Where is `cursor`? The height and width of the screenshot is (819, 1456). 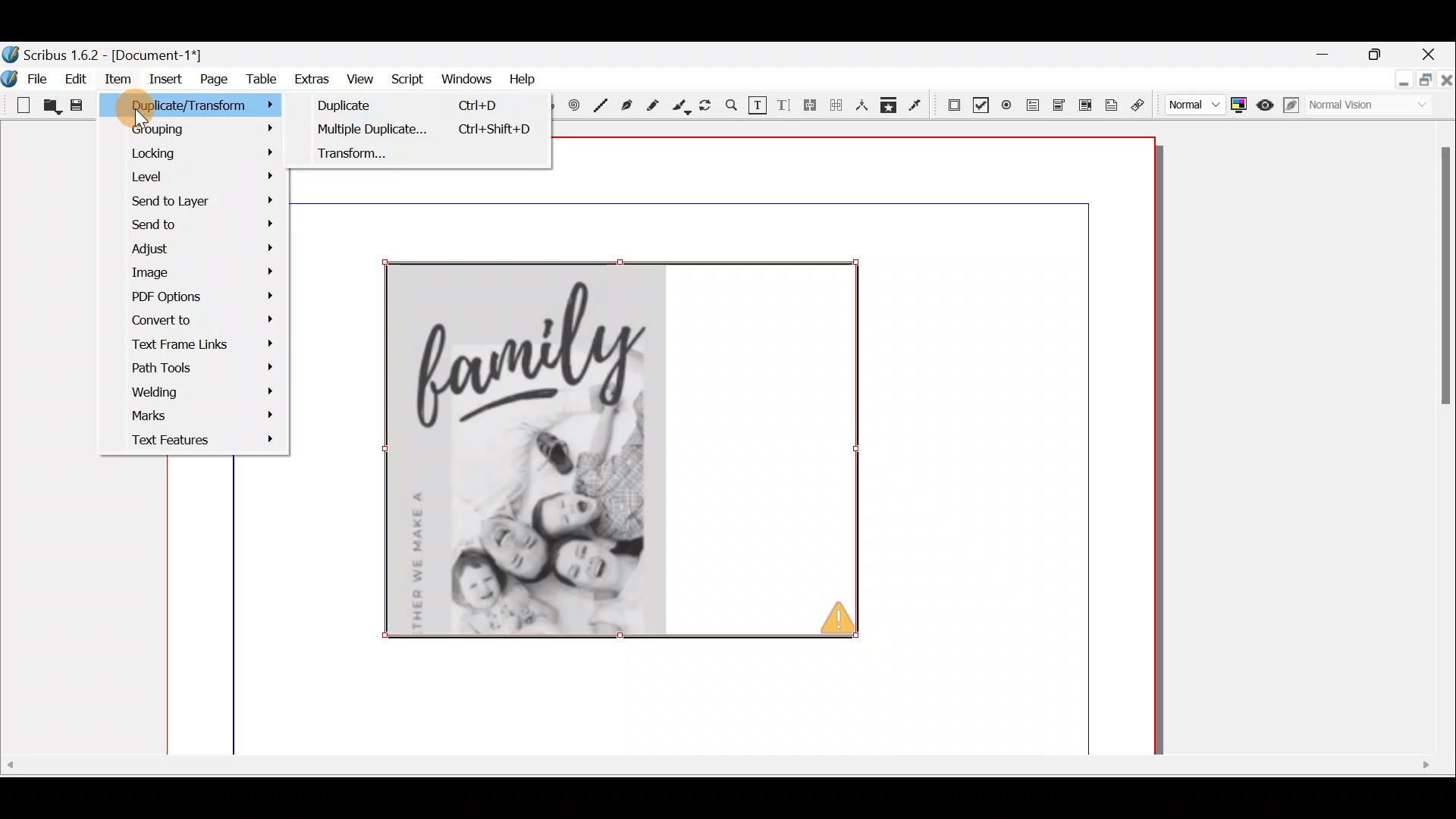 cursor is located at coordinates (140, 118).